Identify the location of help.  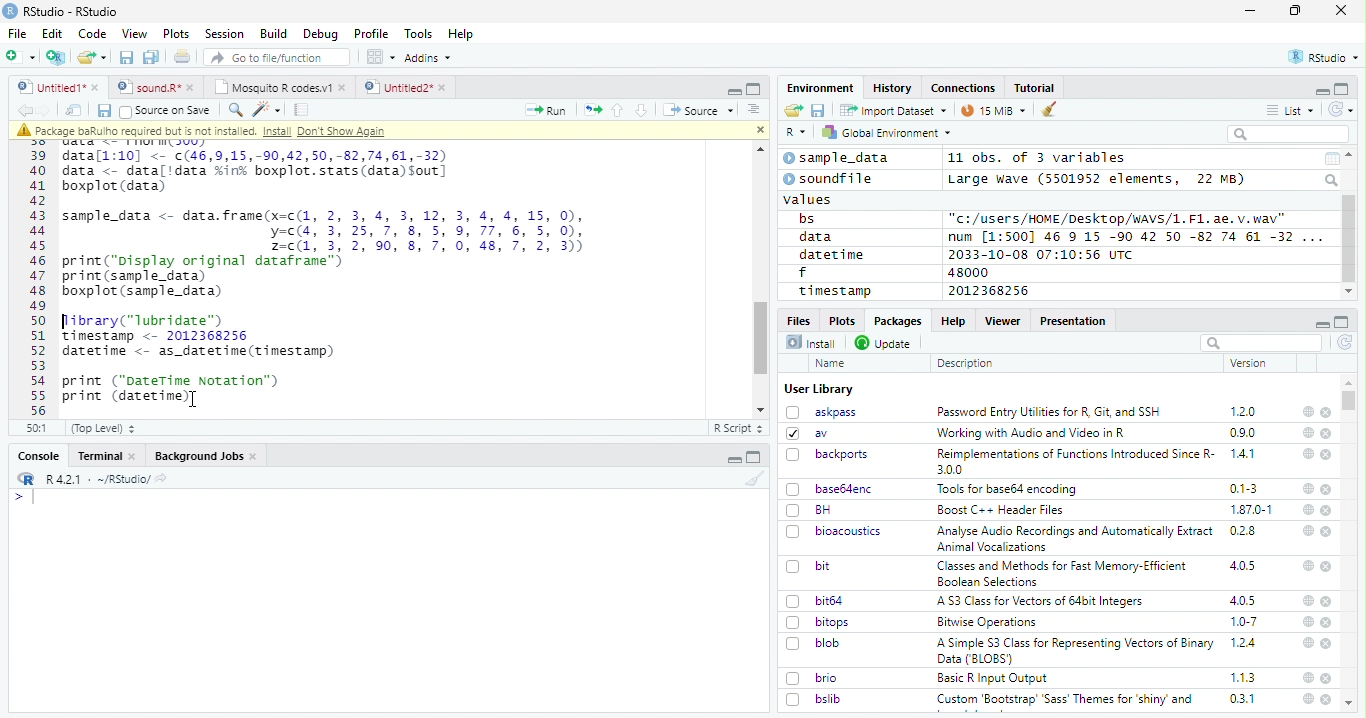
(1306, 642).